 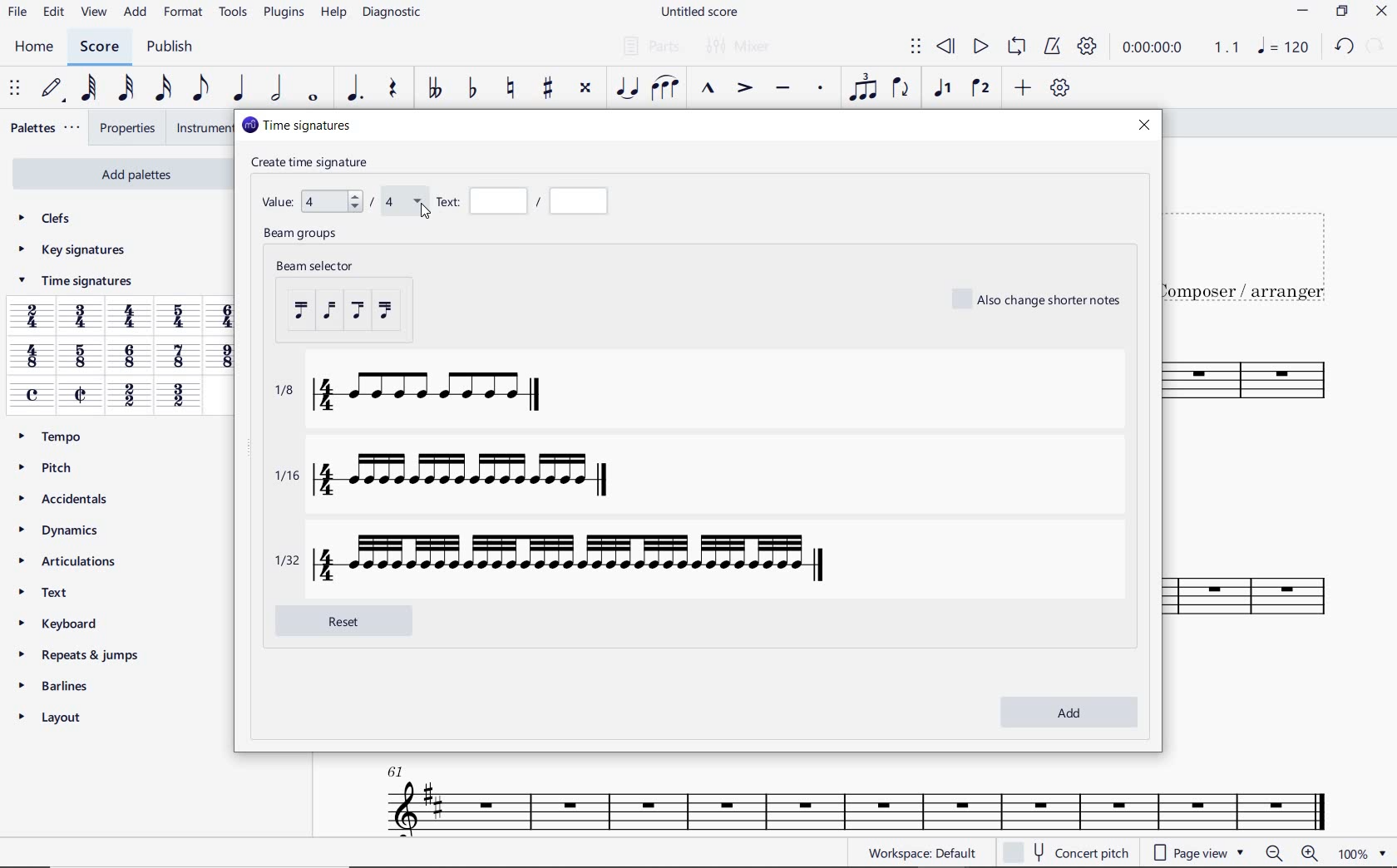 I want to click on KEY SIGNATURES, so click(x=72, y=250).